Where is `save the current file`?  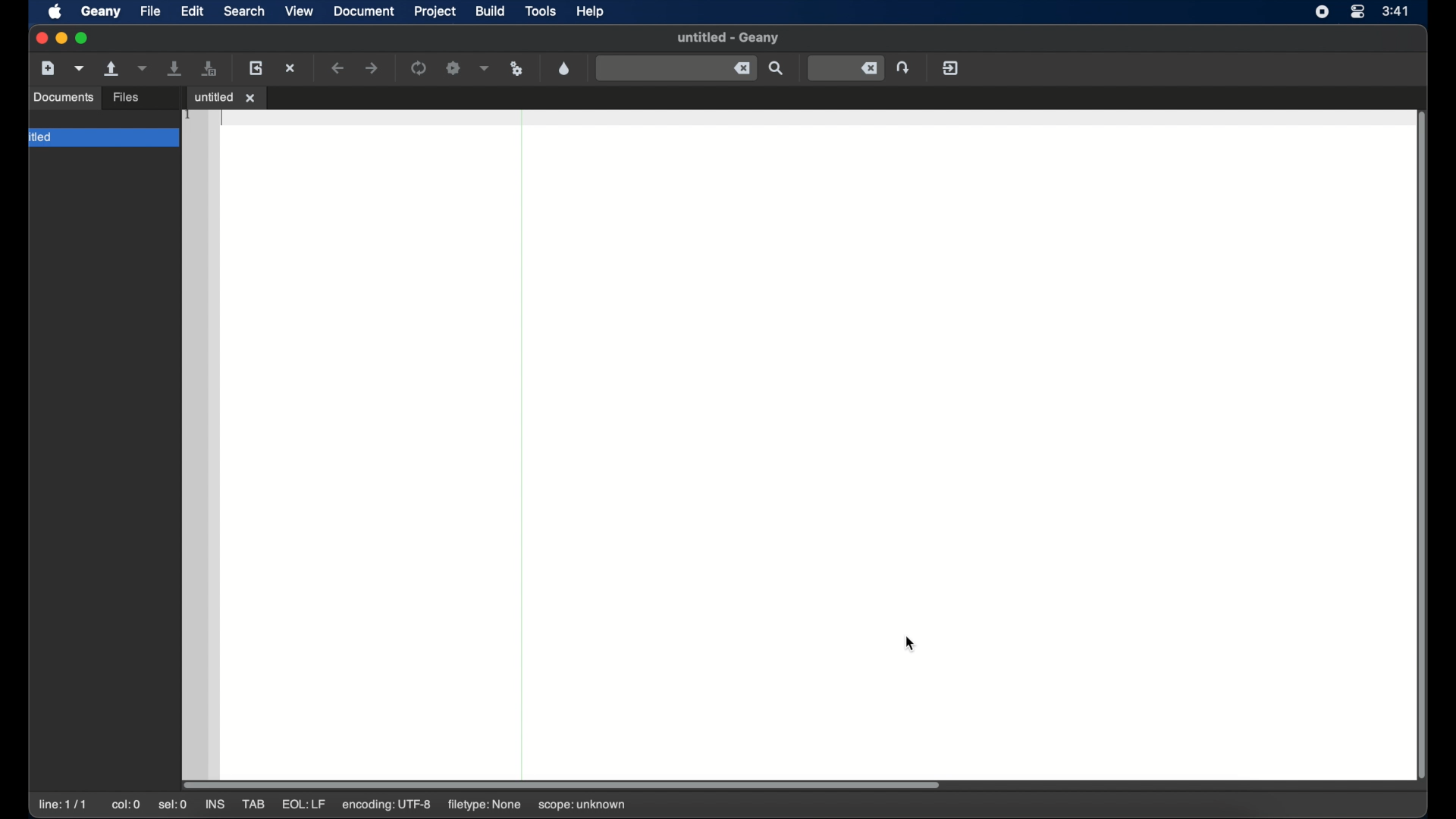 save the current file is located at coordinates (176, 69).